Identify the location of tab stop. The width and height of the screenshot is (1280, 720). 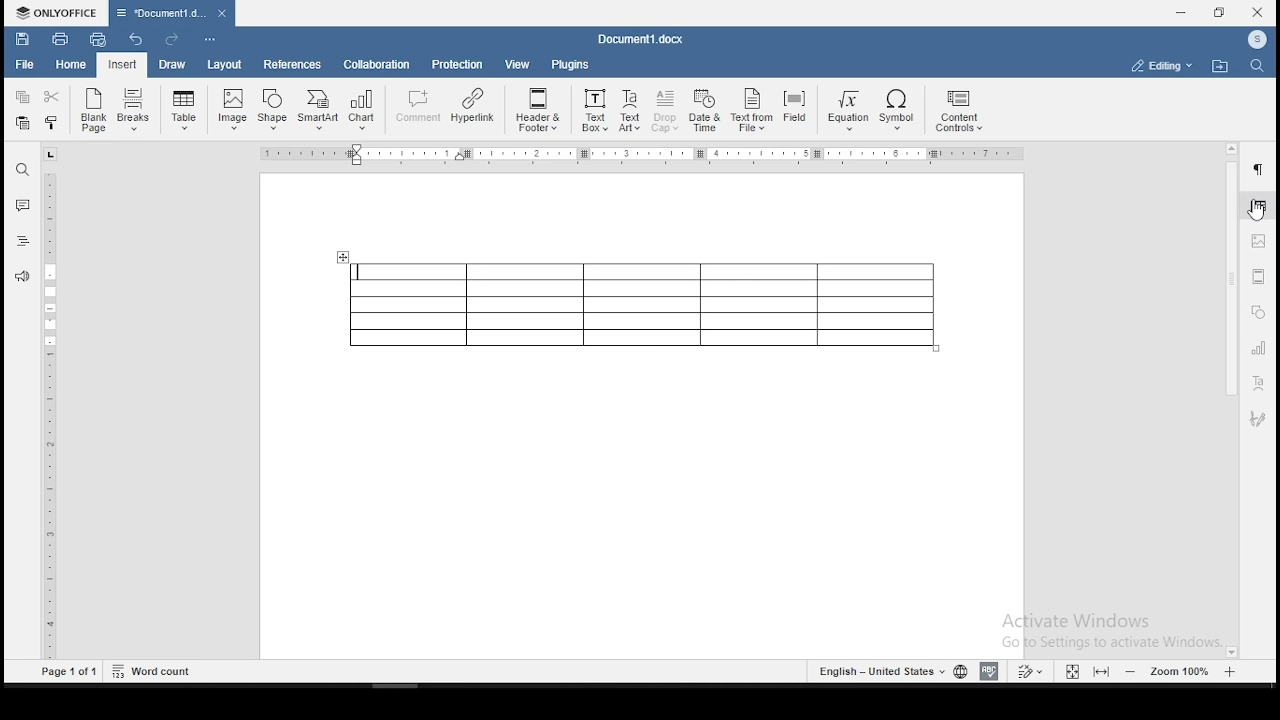
(51, 154).